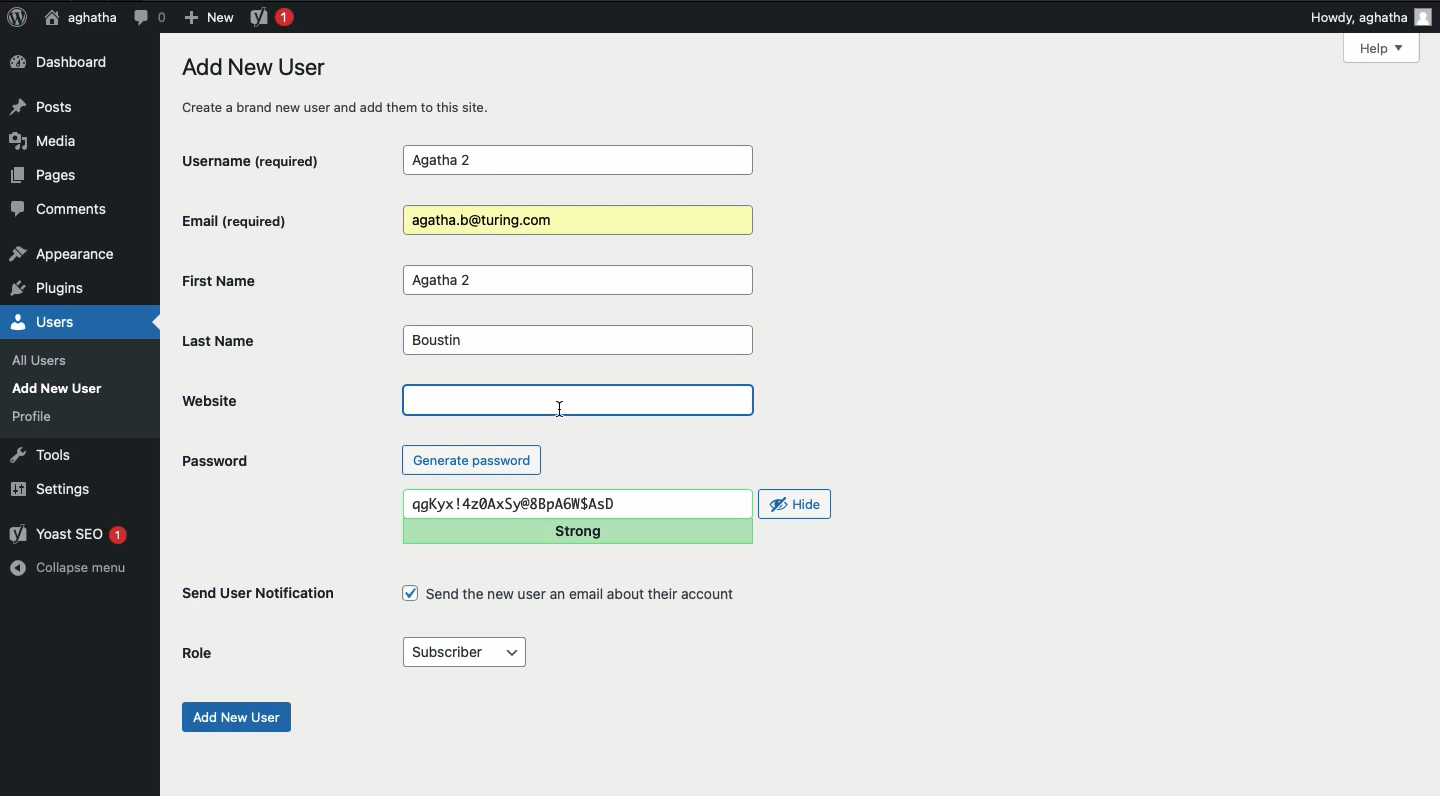  I want to click on Password, so click(214, 461).